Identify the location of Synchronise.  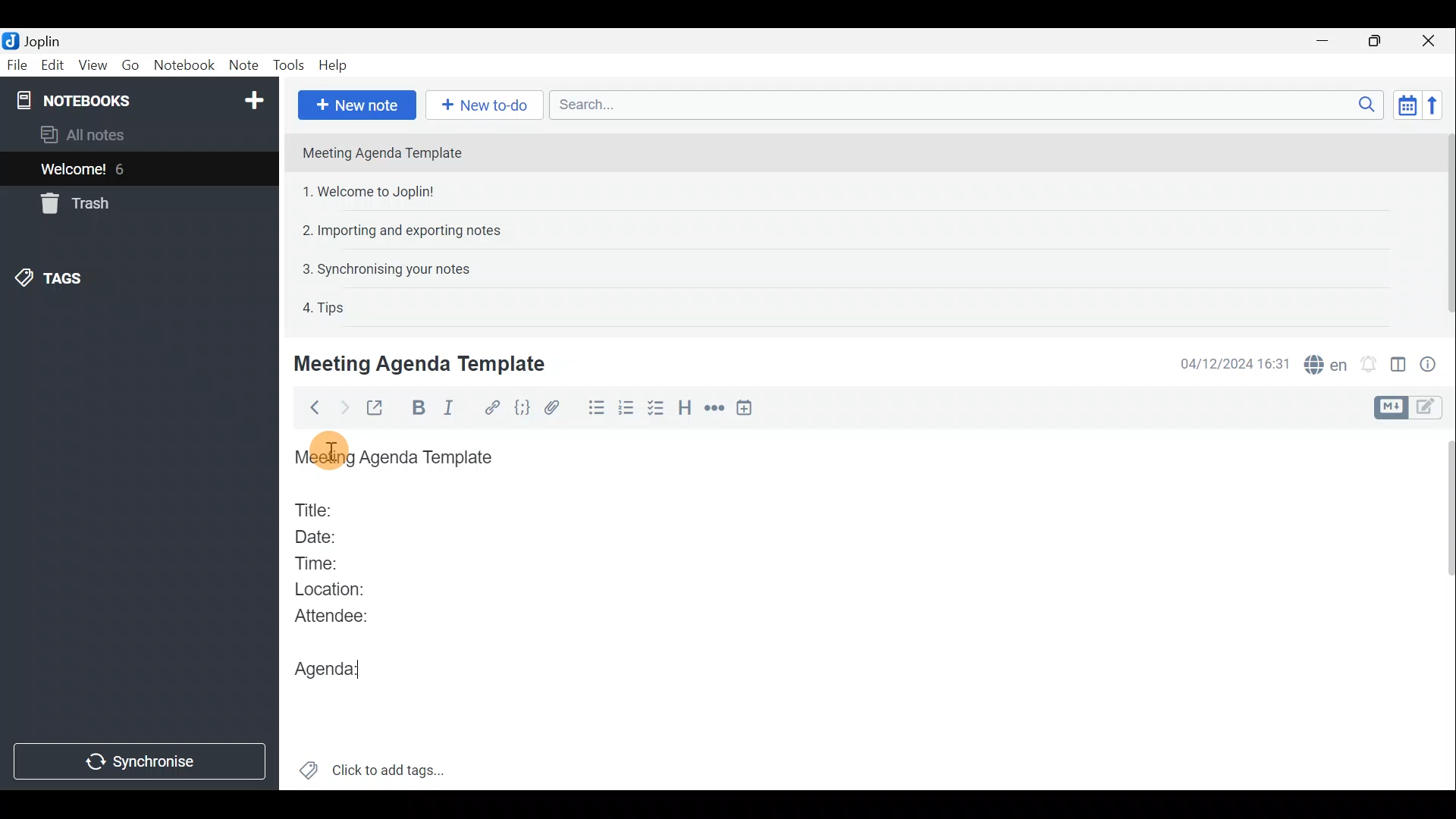
(139, 761).